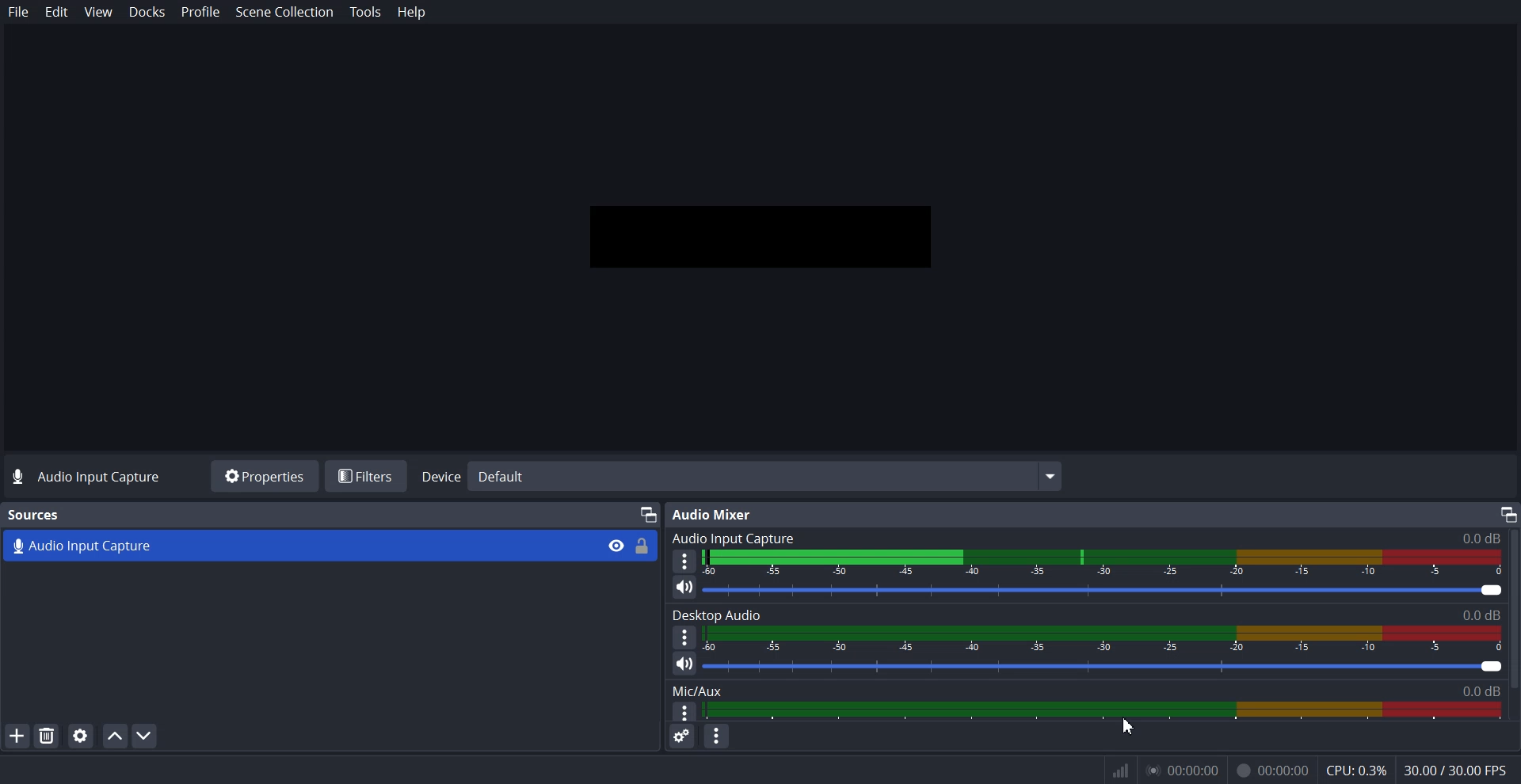 The width and height of the screenshot is (1521, 784). What do you see at coordinates (97, 11) in the screenshot?
I see `View` at bounding box center [97, 11].